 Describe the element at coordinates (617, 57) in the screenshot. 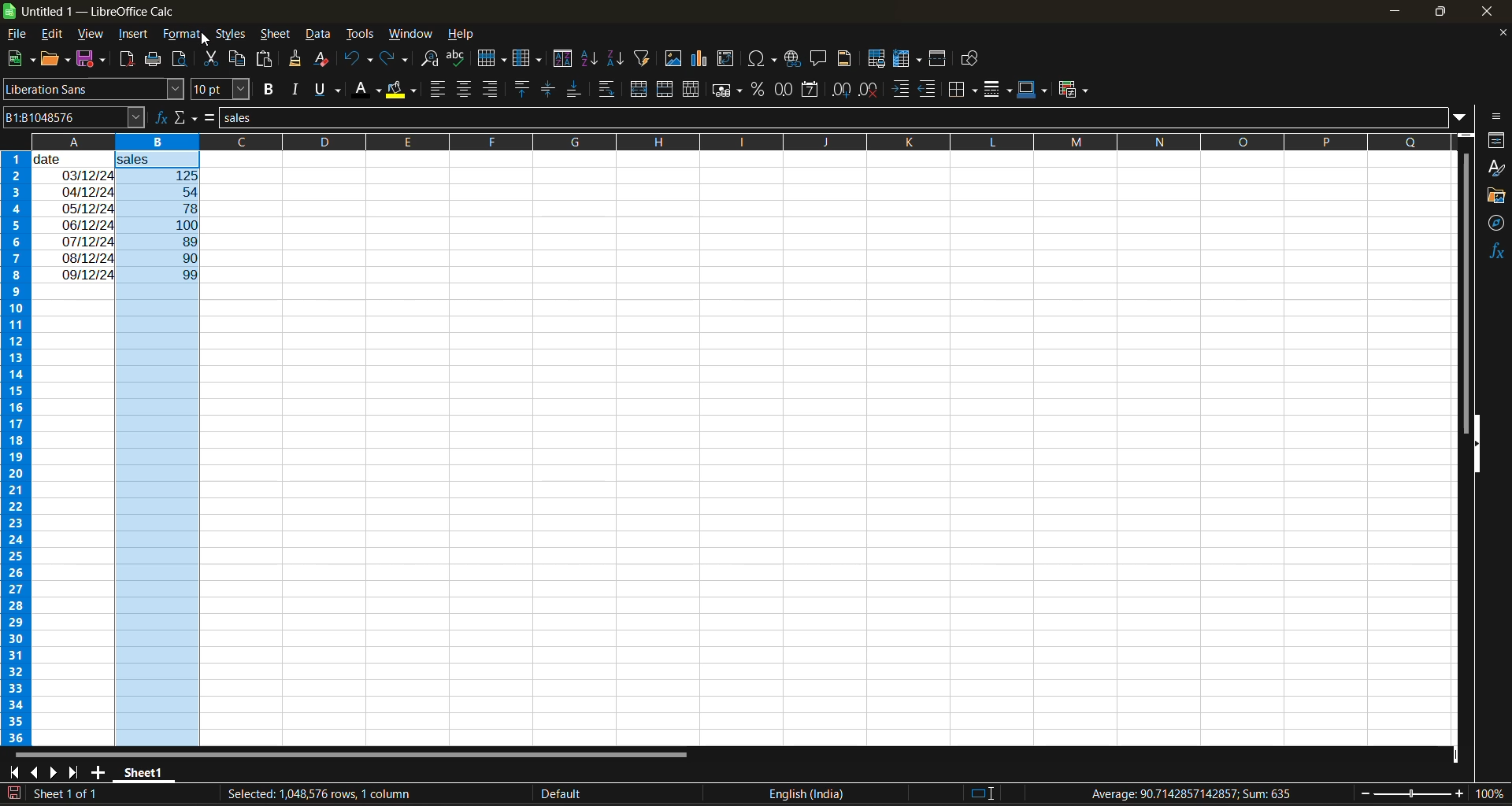

I see `sort descending` at that location.